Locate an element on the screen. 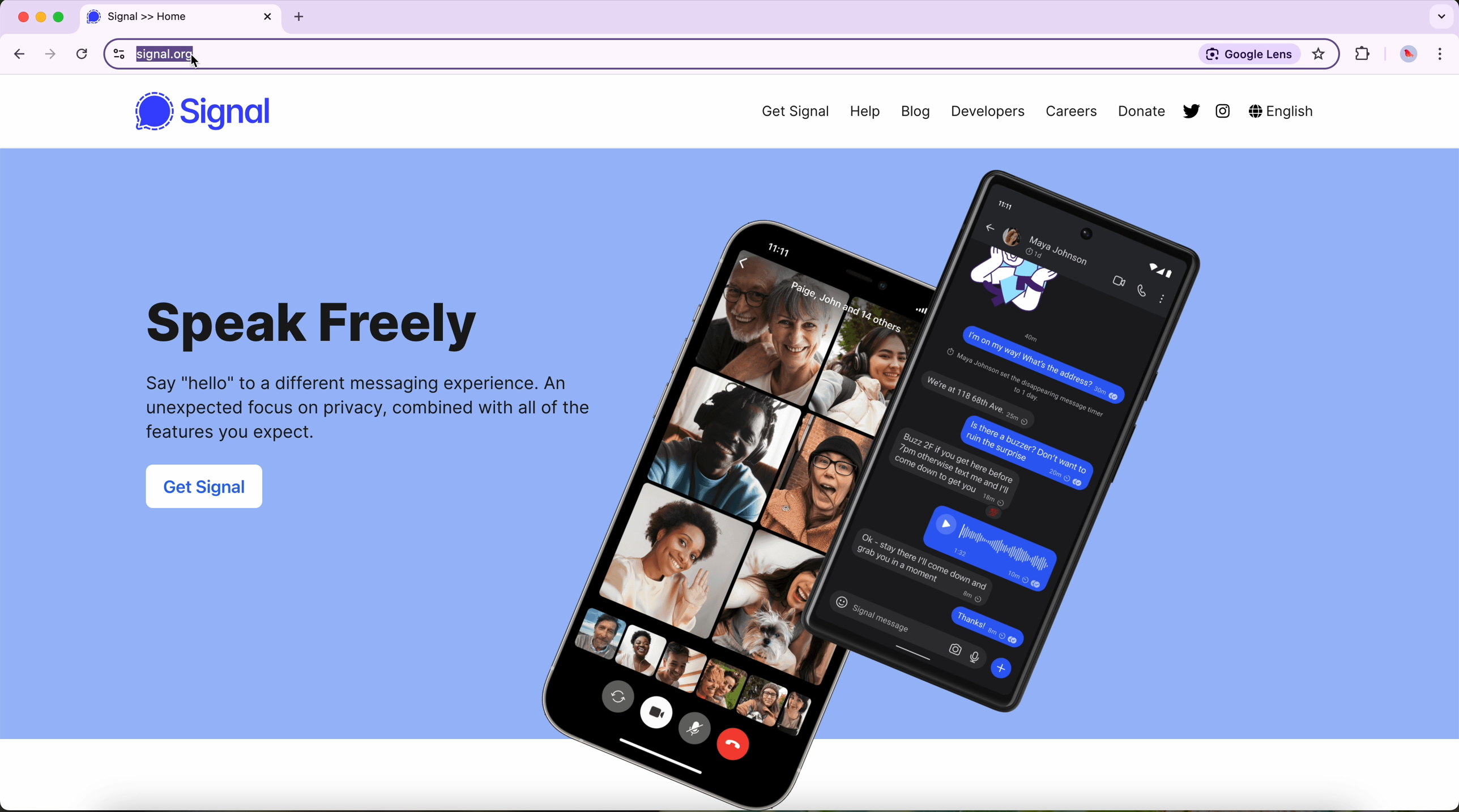 This screenshot has width=1459, height=812. customize and control Google Chrome is located at coordinates (1441, 54).